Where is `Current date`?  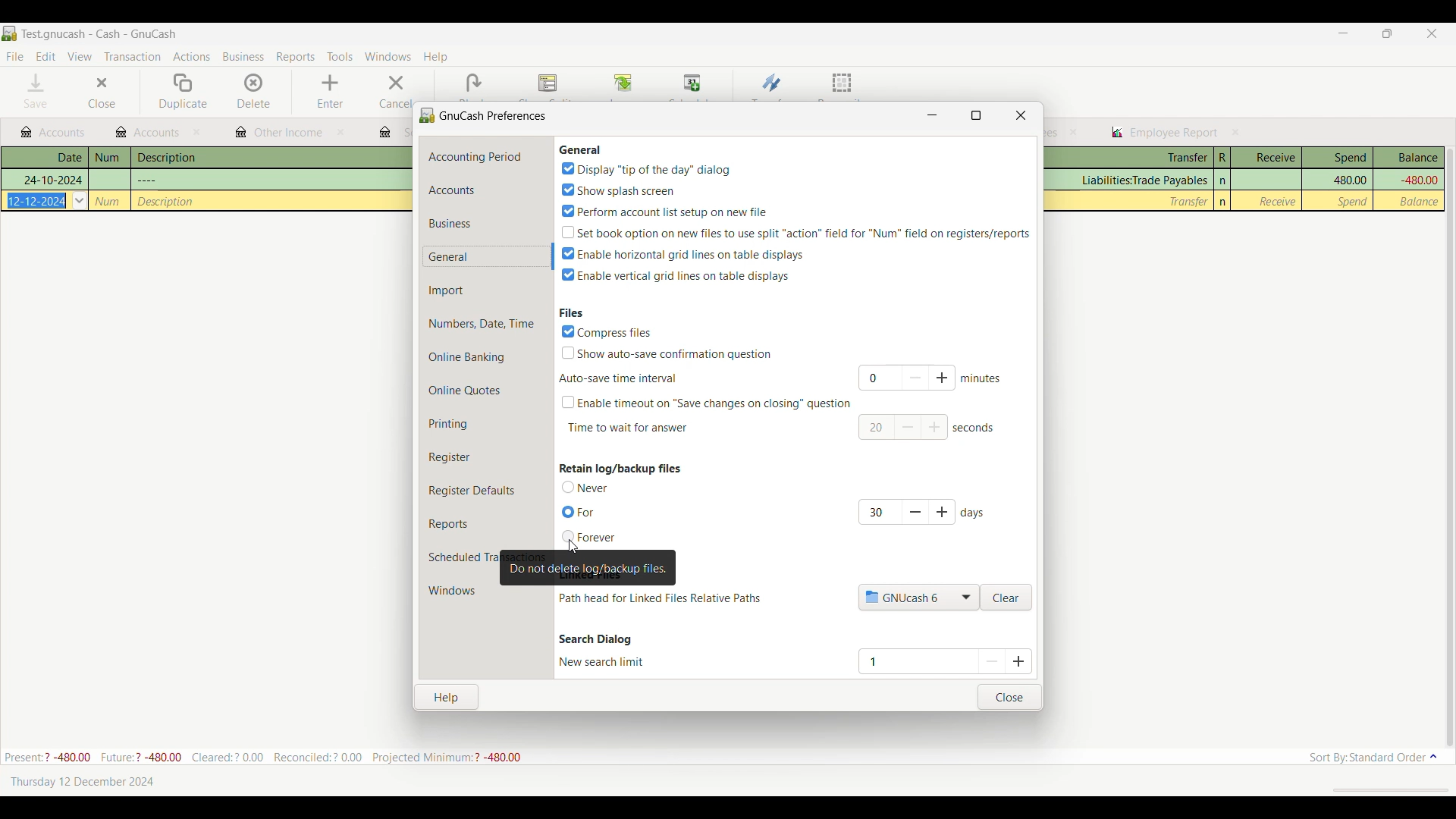 Current date is located at coordinates (82, 781).